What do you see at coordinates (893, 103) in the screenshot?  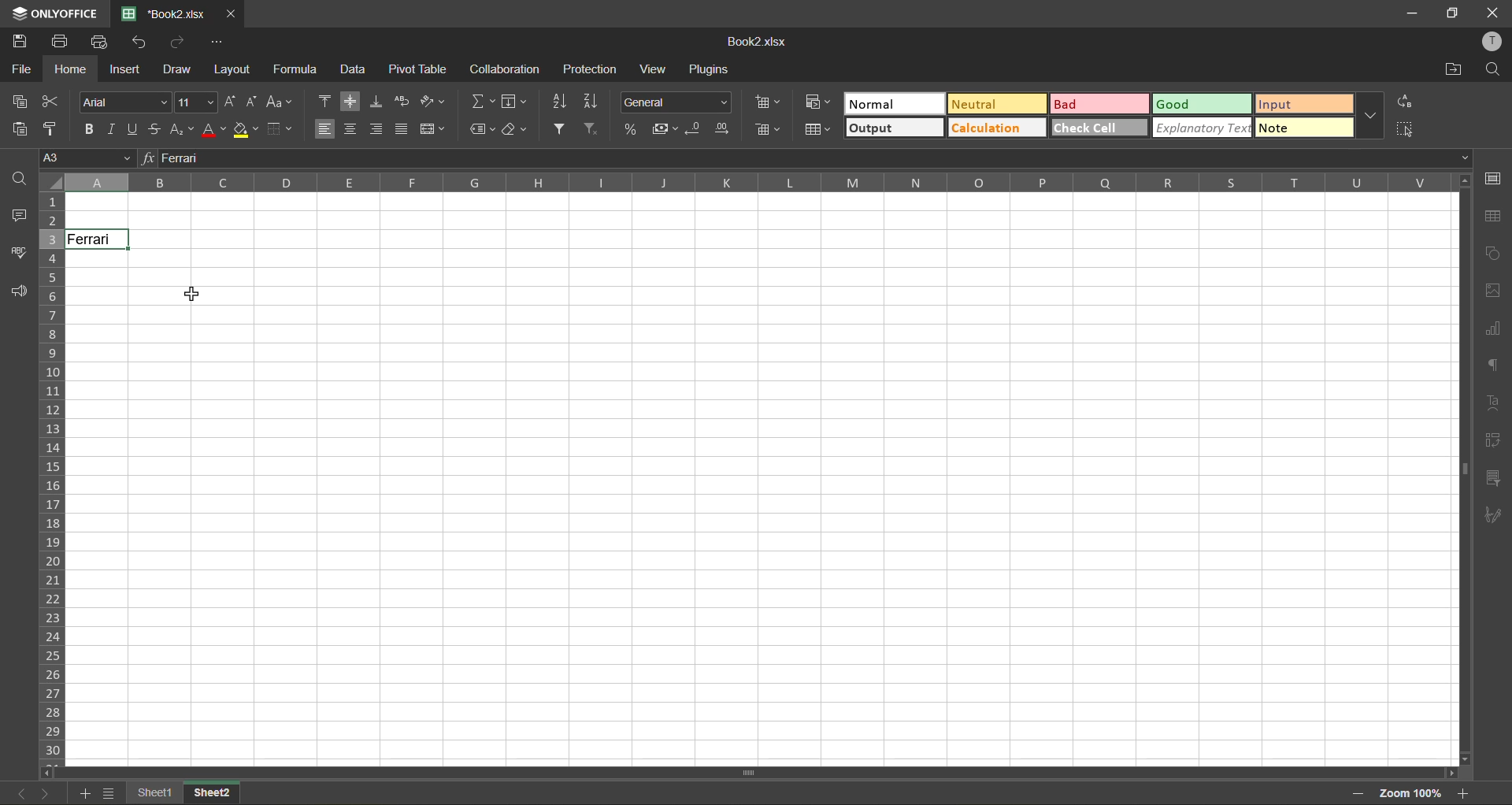 I see `normal` at bounding box center [893, 103].